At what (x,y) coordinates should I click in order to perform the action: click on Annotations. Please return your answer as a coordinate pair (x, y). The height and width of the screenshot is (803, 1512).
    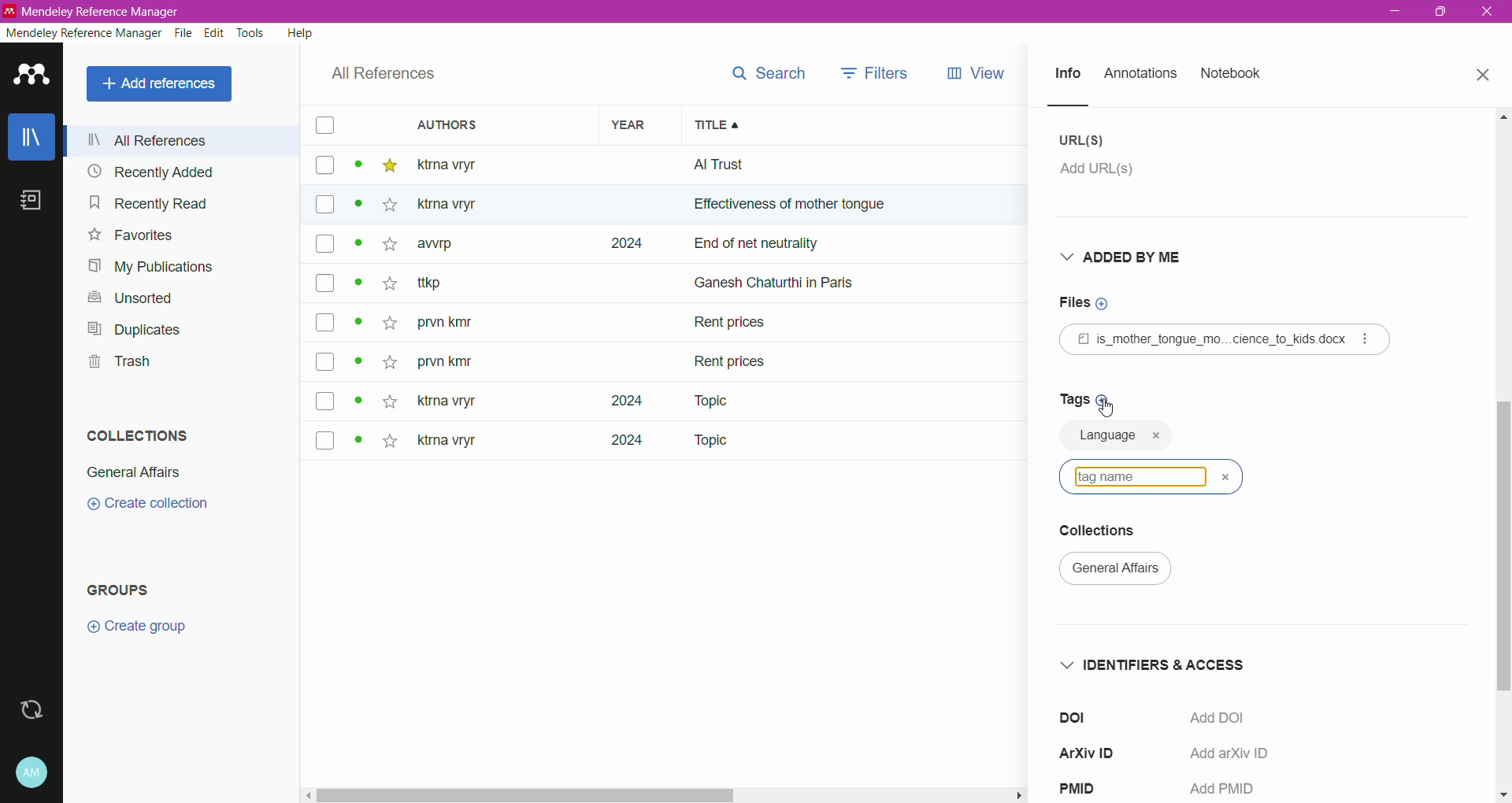
    Looking at the image, I should click on (1140, 75).